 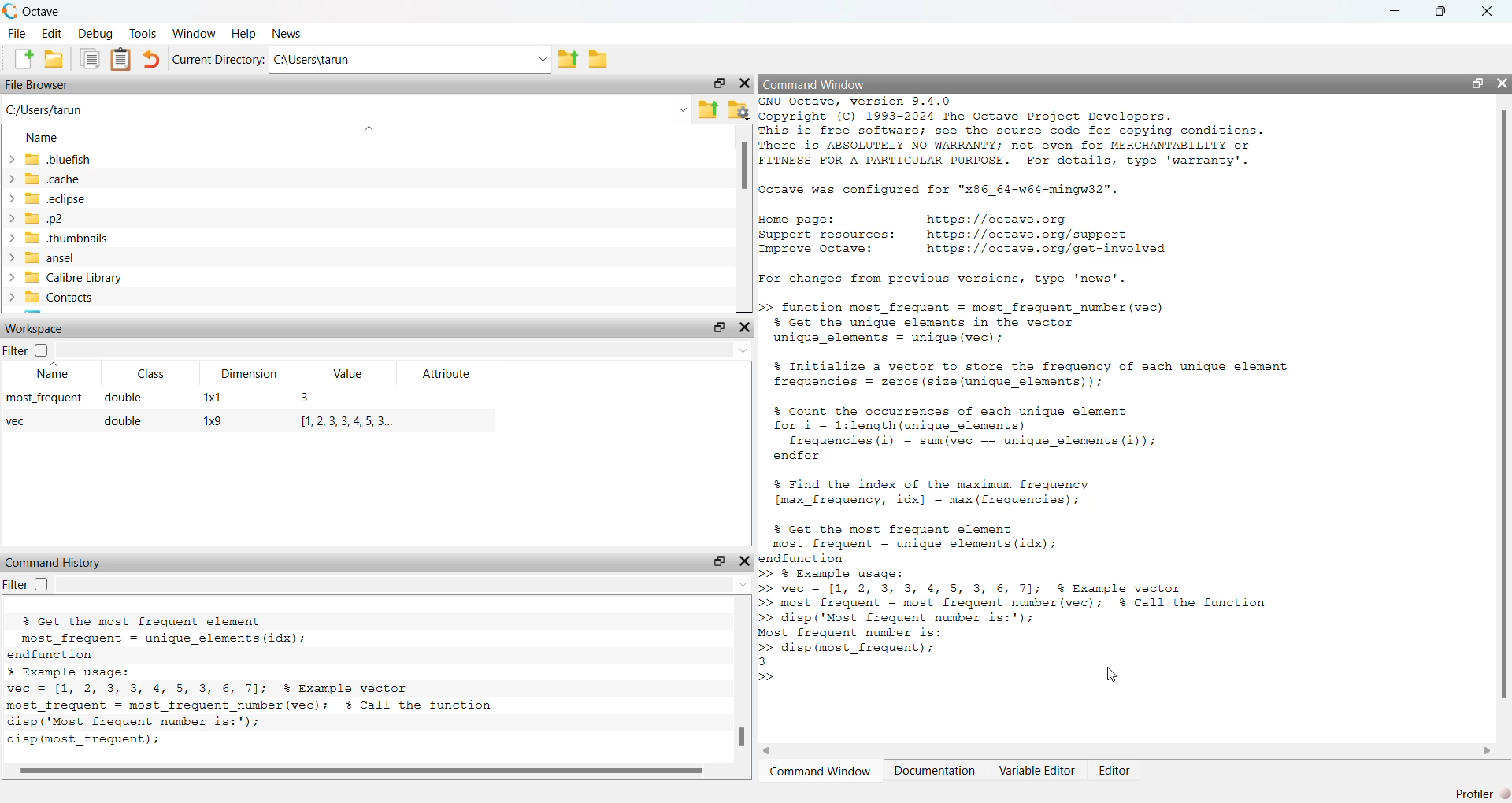 What do you see at coordinates (744, 562) in the screenshot?
I see `Hide Widget` at bounding box center [744, 562].